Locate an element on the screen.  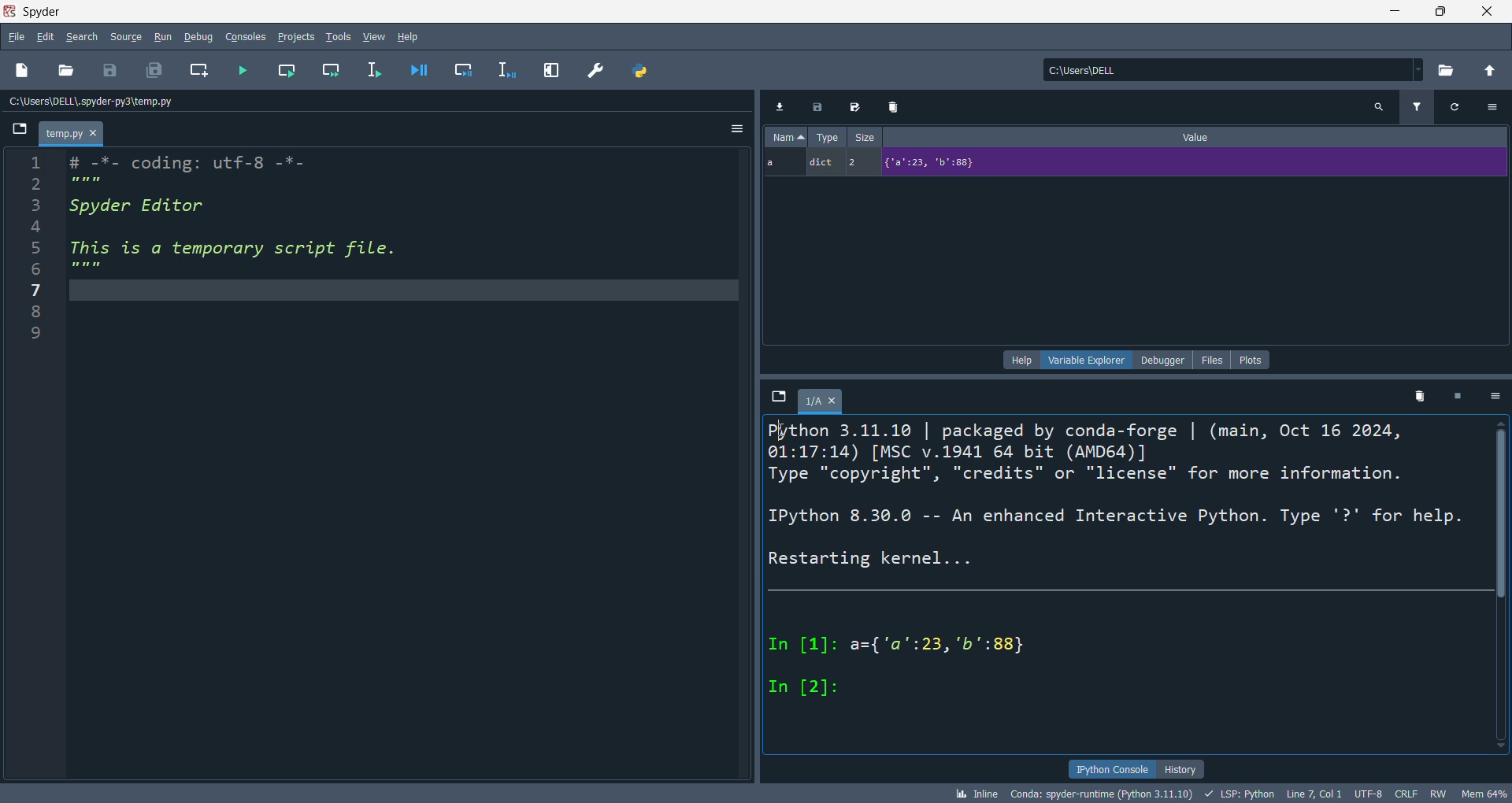
viewn is located at coordinates (375, 35).